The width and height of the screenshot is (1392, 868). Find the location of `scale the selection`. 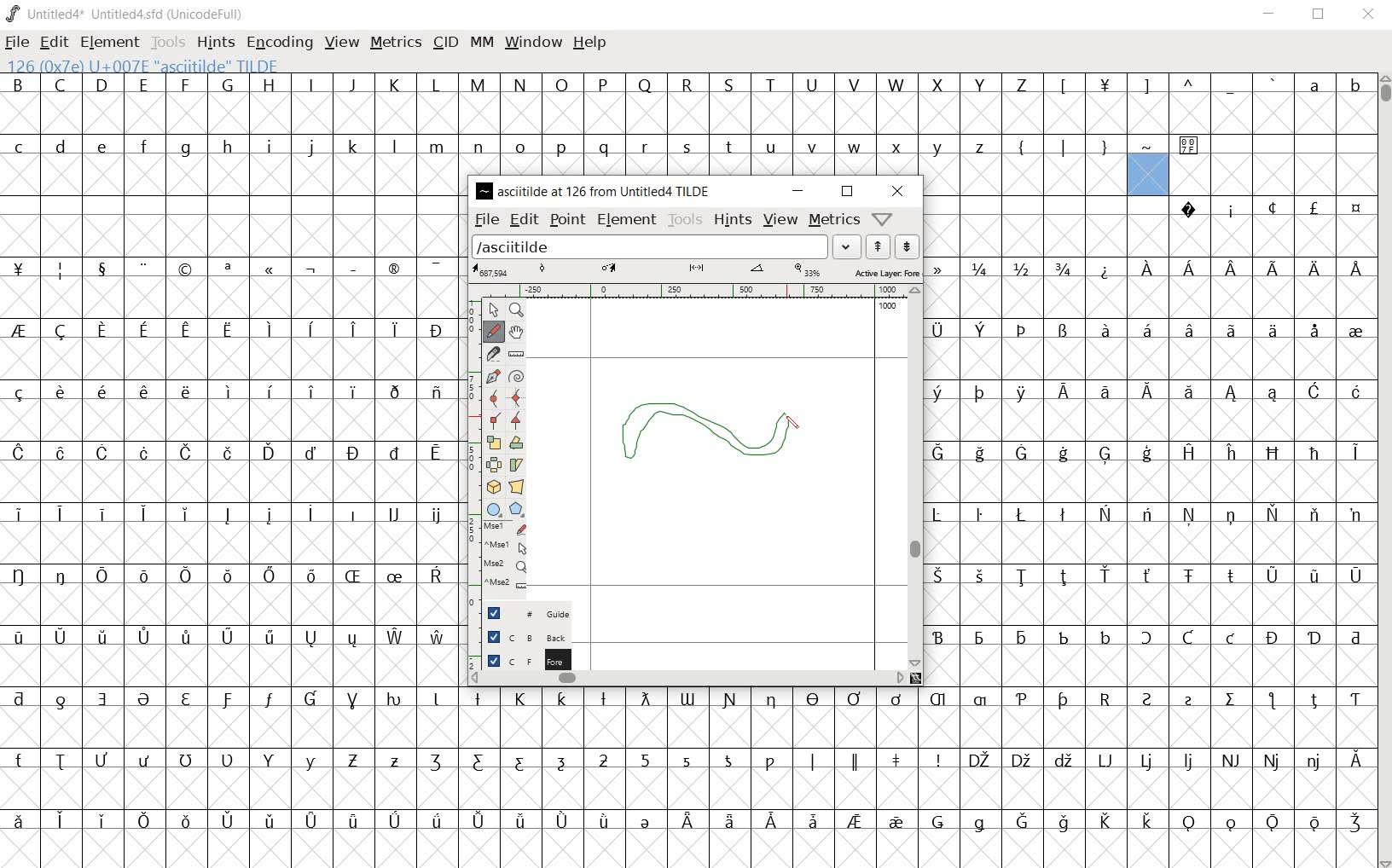

scale the selection is located at coordinates (494, 443).